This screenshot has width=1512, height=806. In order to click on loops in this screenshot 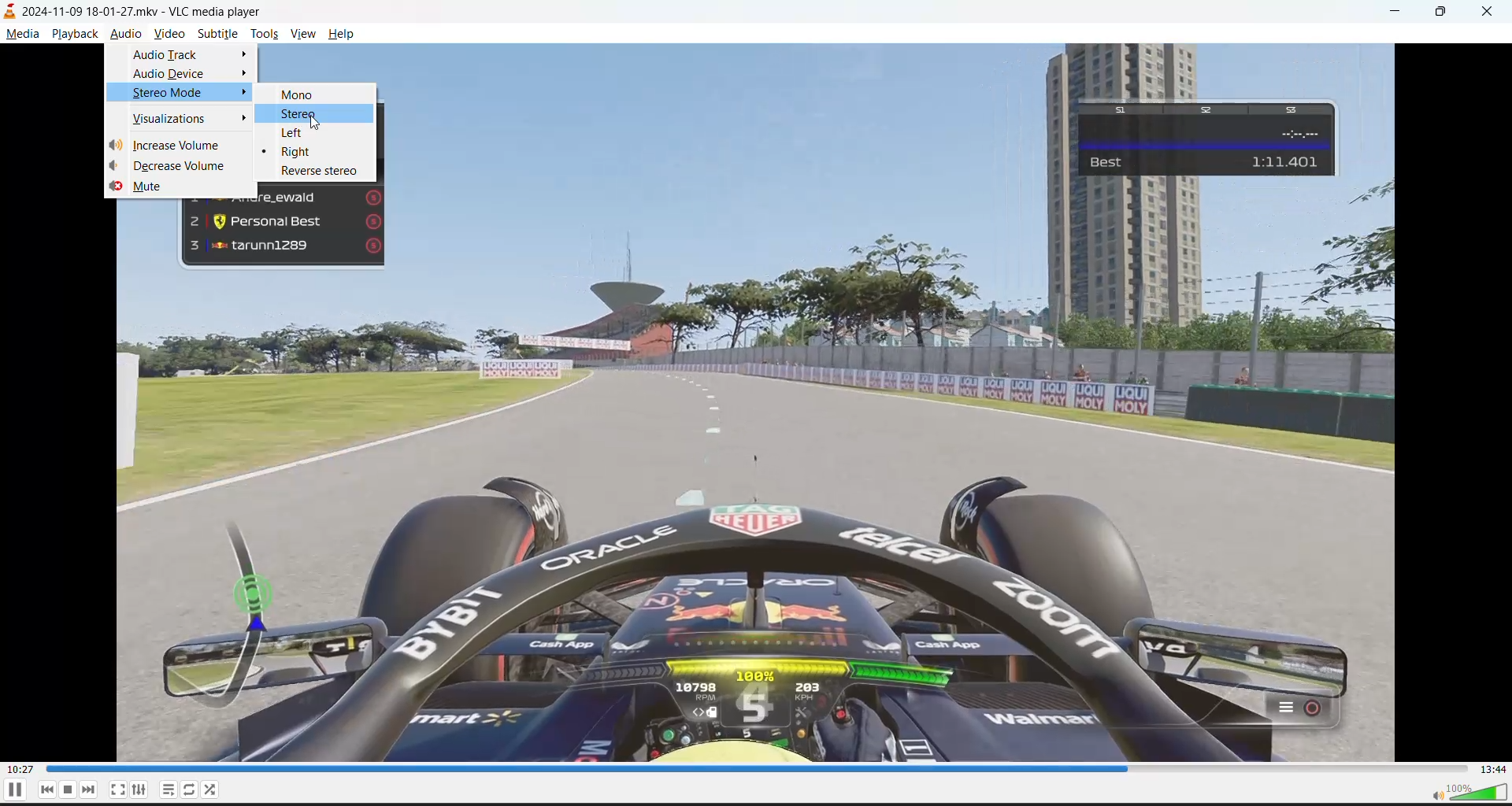, I will do `click(191, 790)`.